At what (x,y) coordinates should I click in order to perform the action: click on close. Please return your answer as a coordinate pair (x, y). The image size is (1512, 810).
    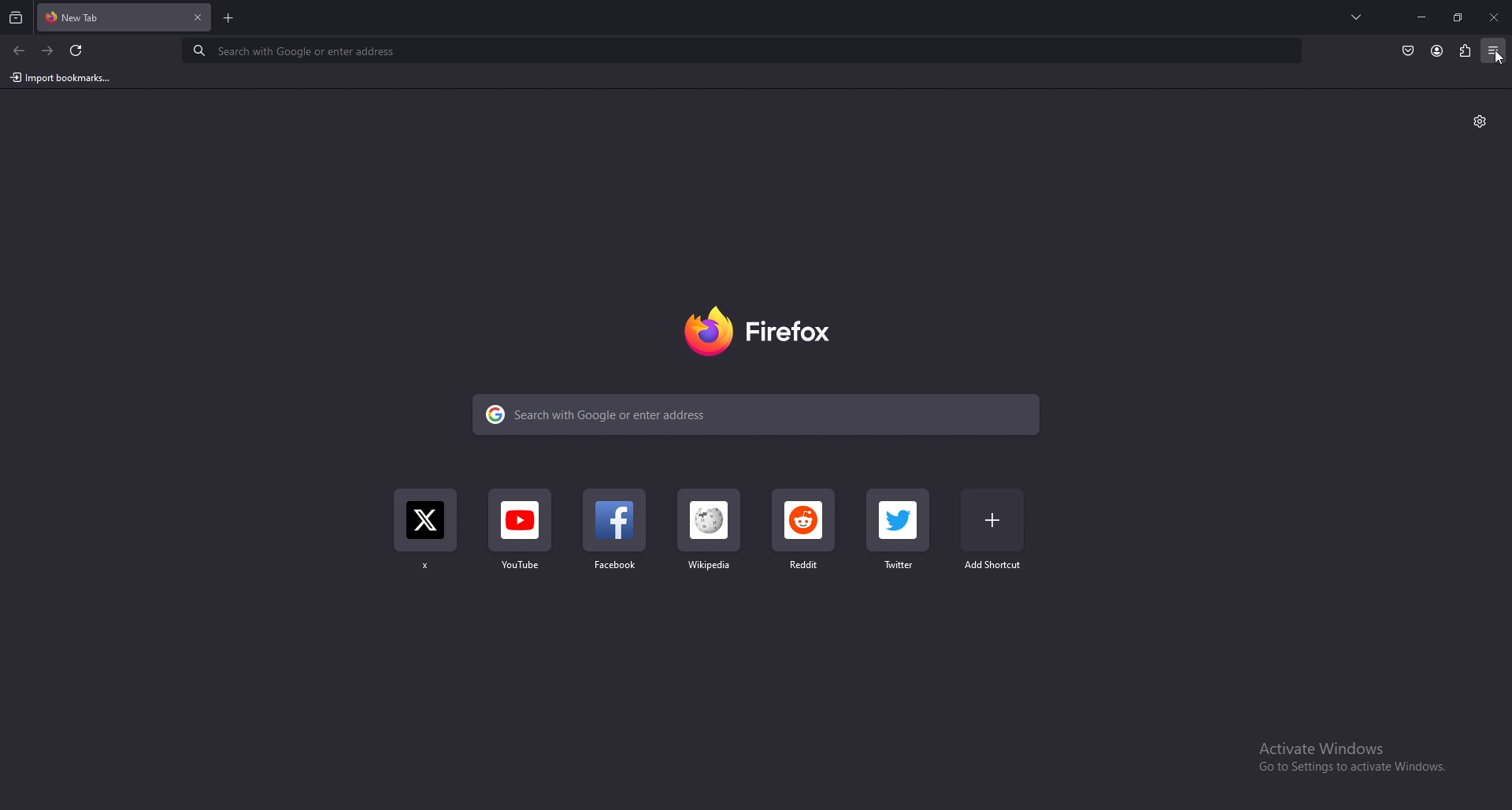
    Looking at the image, I should click on (1492, 18).